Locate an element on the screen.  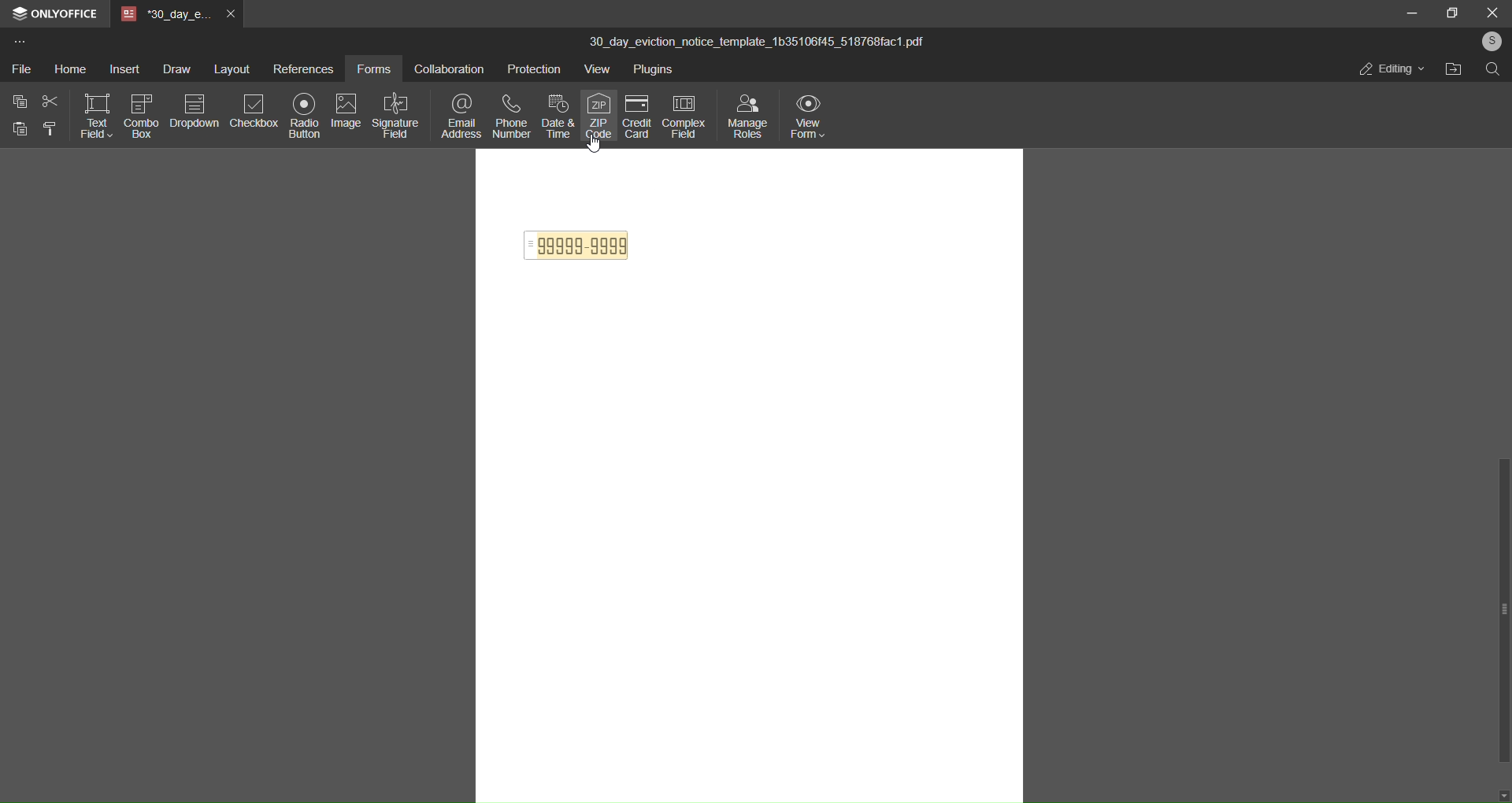
email address is located at coordinates (461, 114).